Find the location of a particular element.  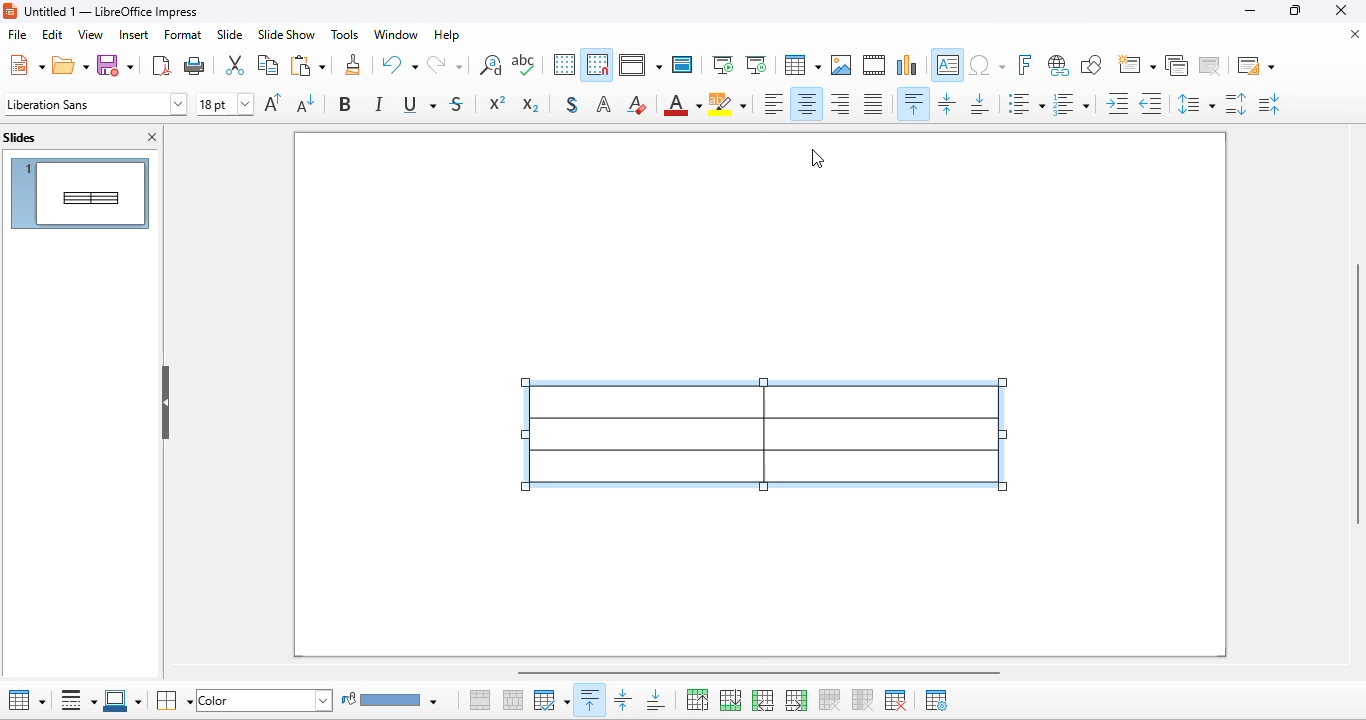

split cells is located at coordinates (513, 699).